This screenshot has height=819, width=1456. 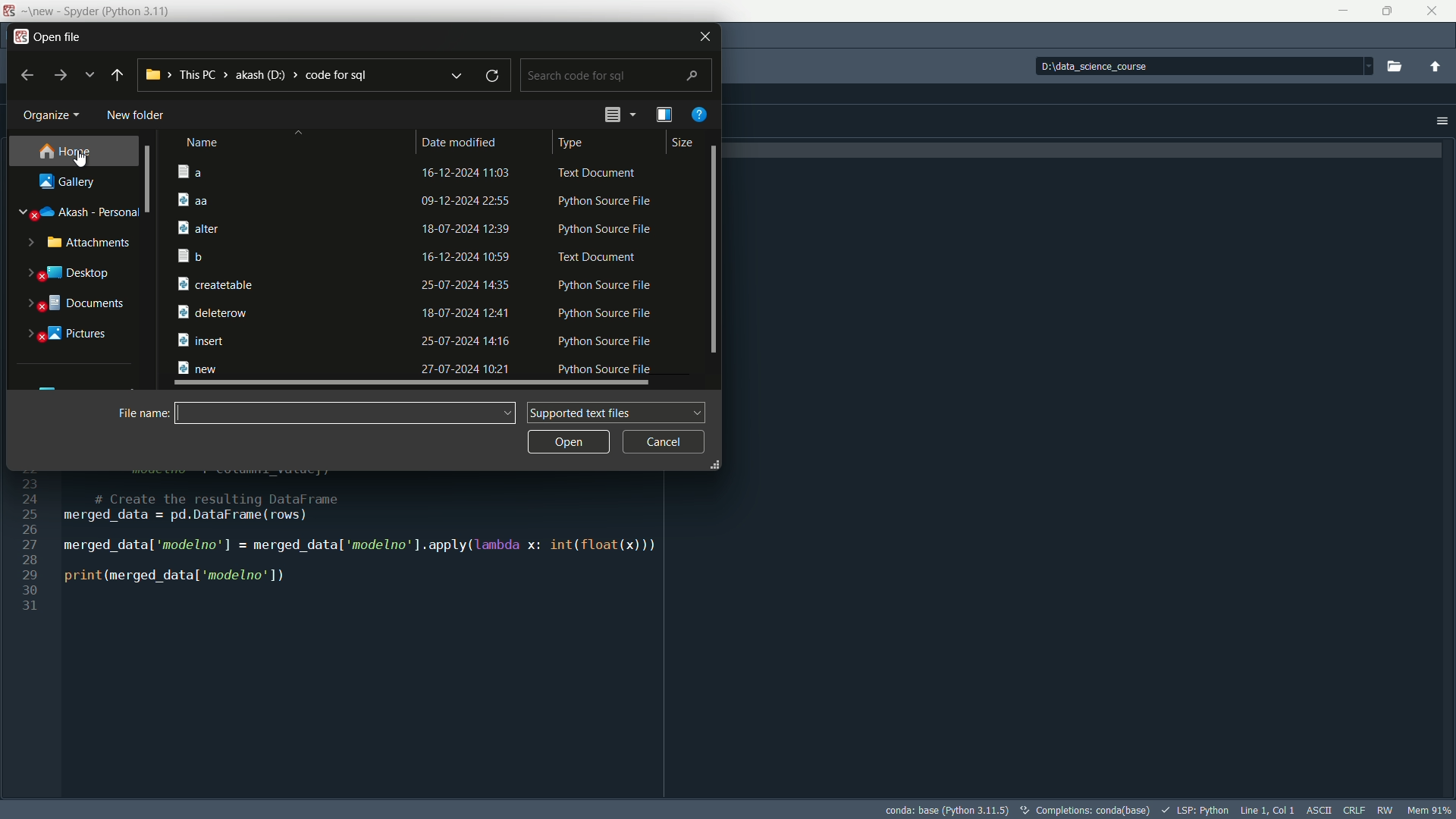 I want to click on timestamp, so click(x=462, y=312).